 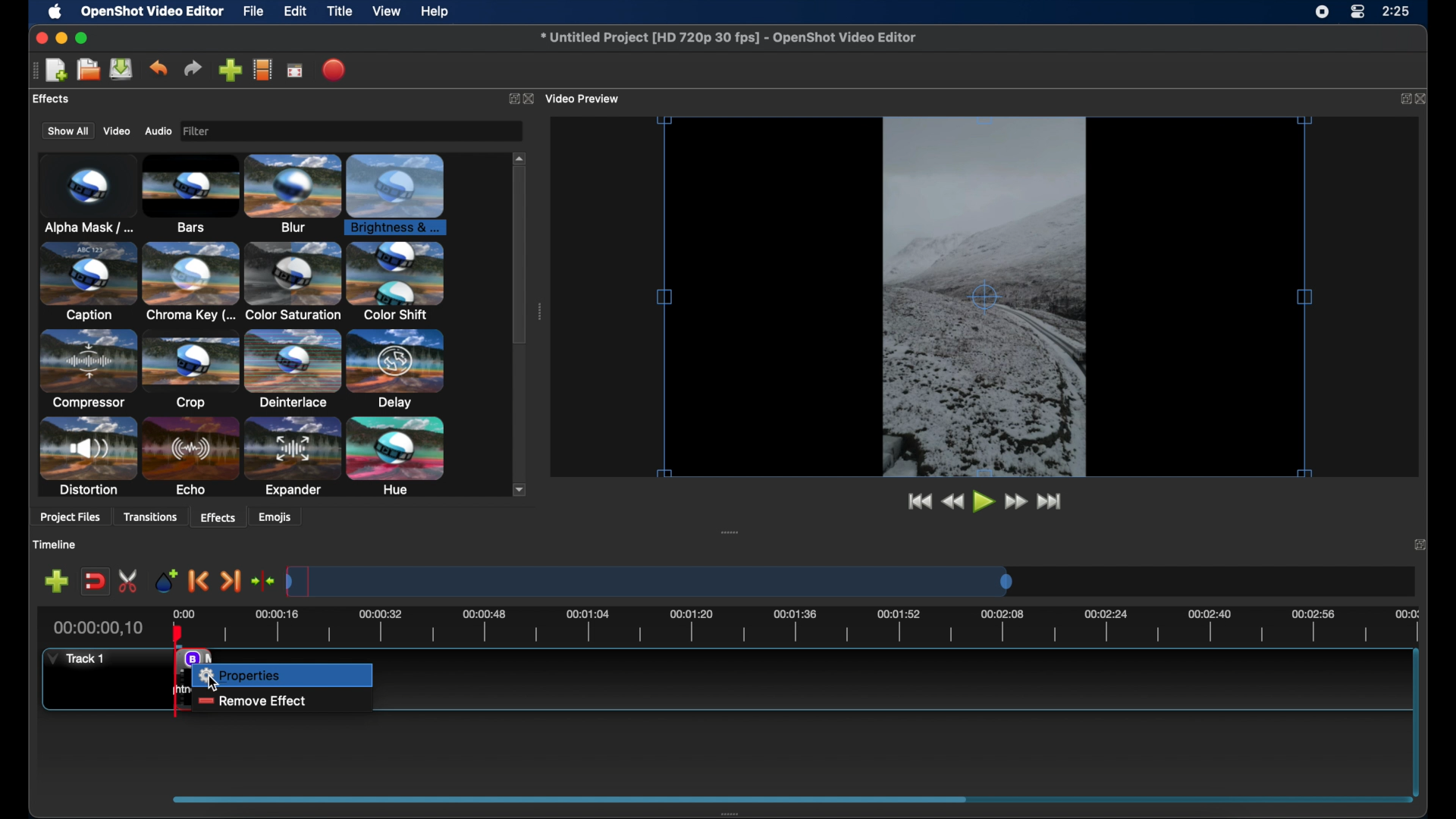 What do you see at coordinates (231, 581) in the screenshot?
I see `next marker` at bounding box center [231, 581].